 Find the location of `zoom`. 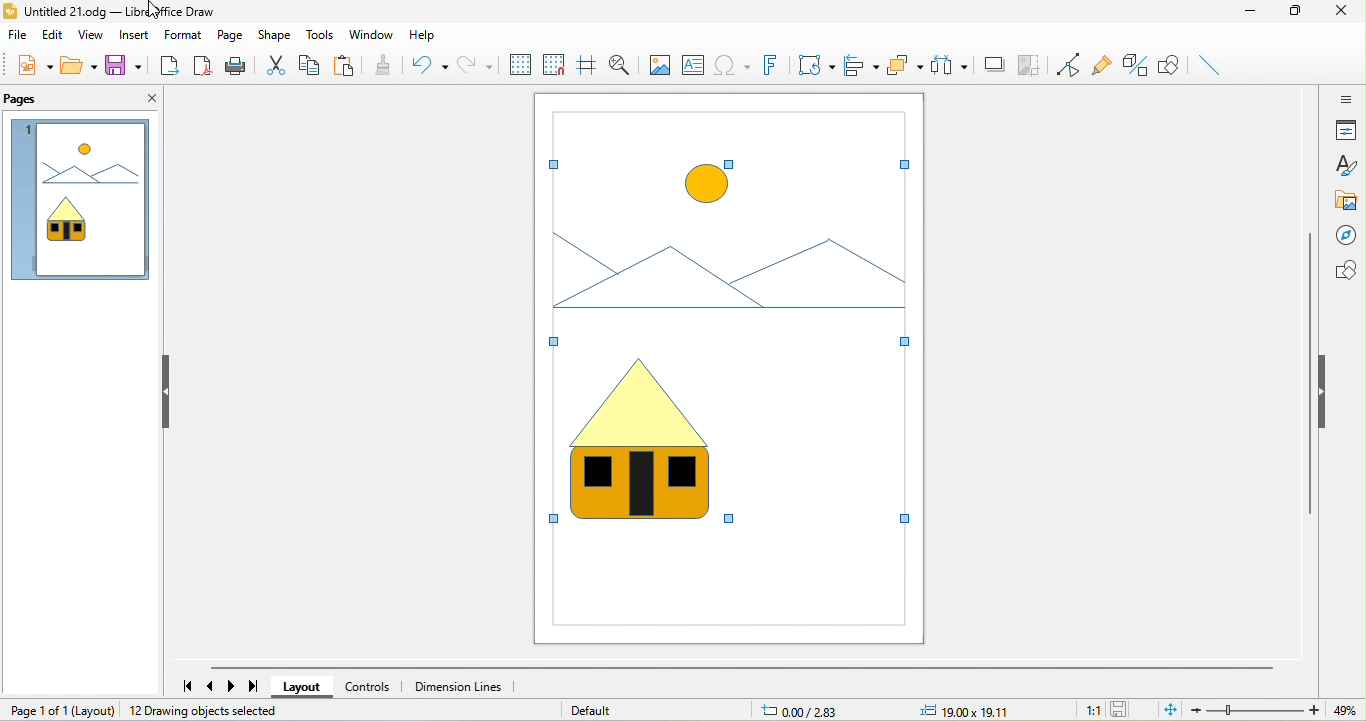

zoom is located at coordinates (1279, 710).